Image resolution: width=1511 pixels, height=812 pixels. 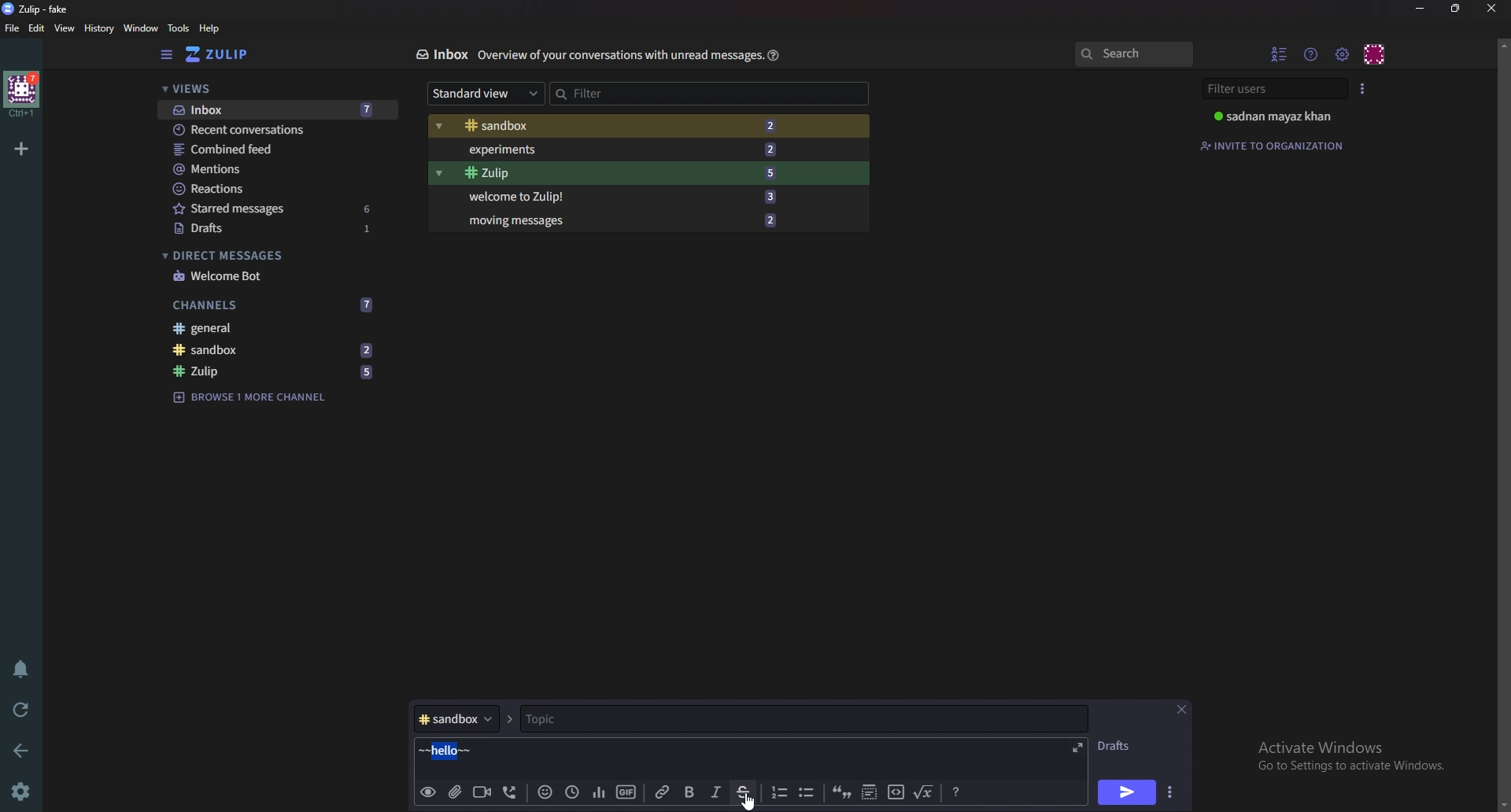 I want to click on close message, so click(x=1181, y=708).